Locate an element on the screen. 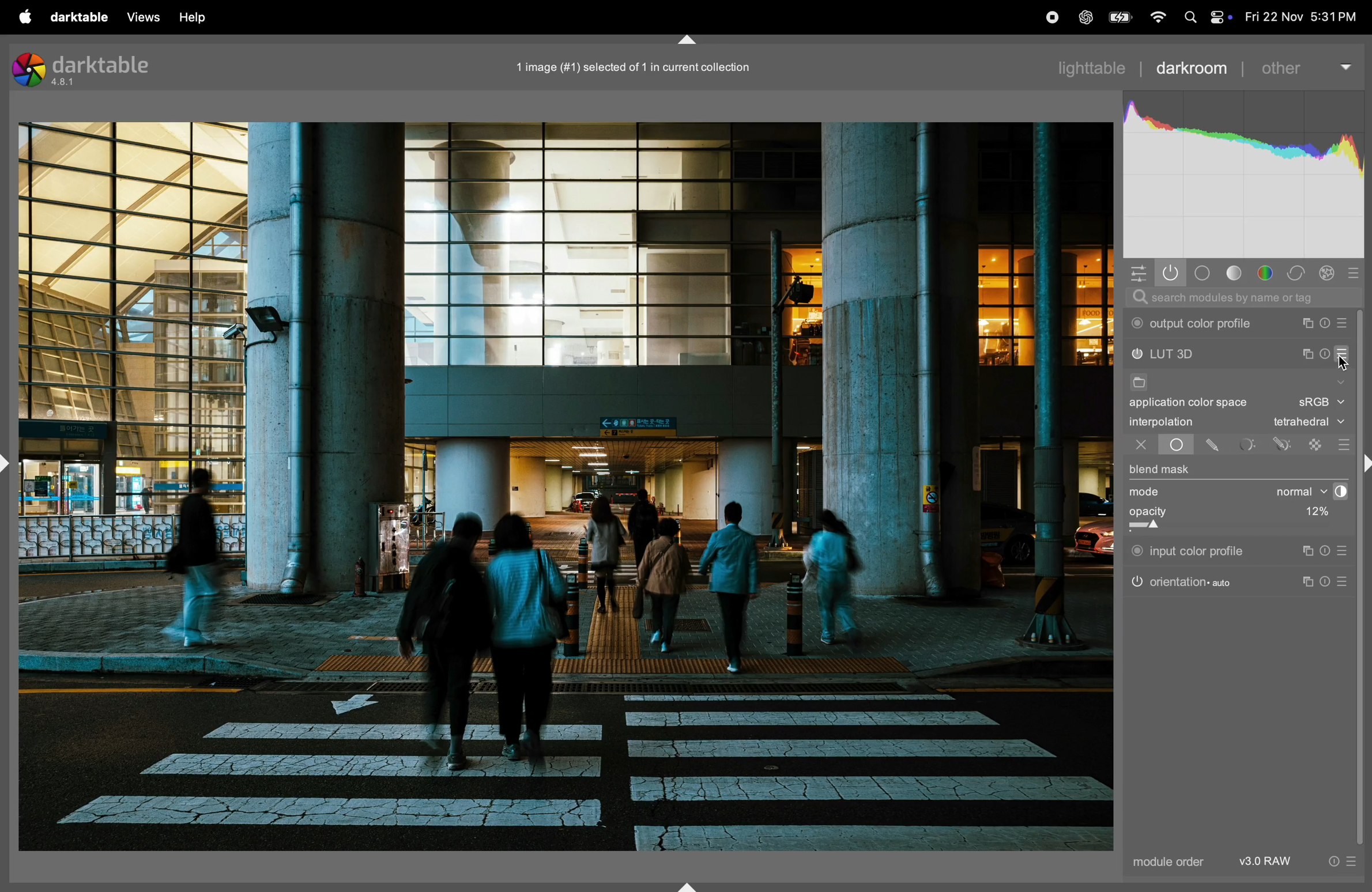 The width and height of the screenshot is (1372, 892).  is located at coordinates (1363, 465).